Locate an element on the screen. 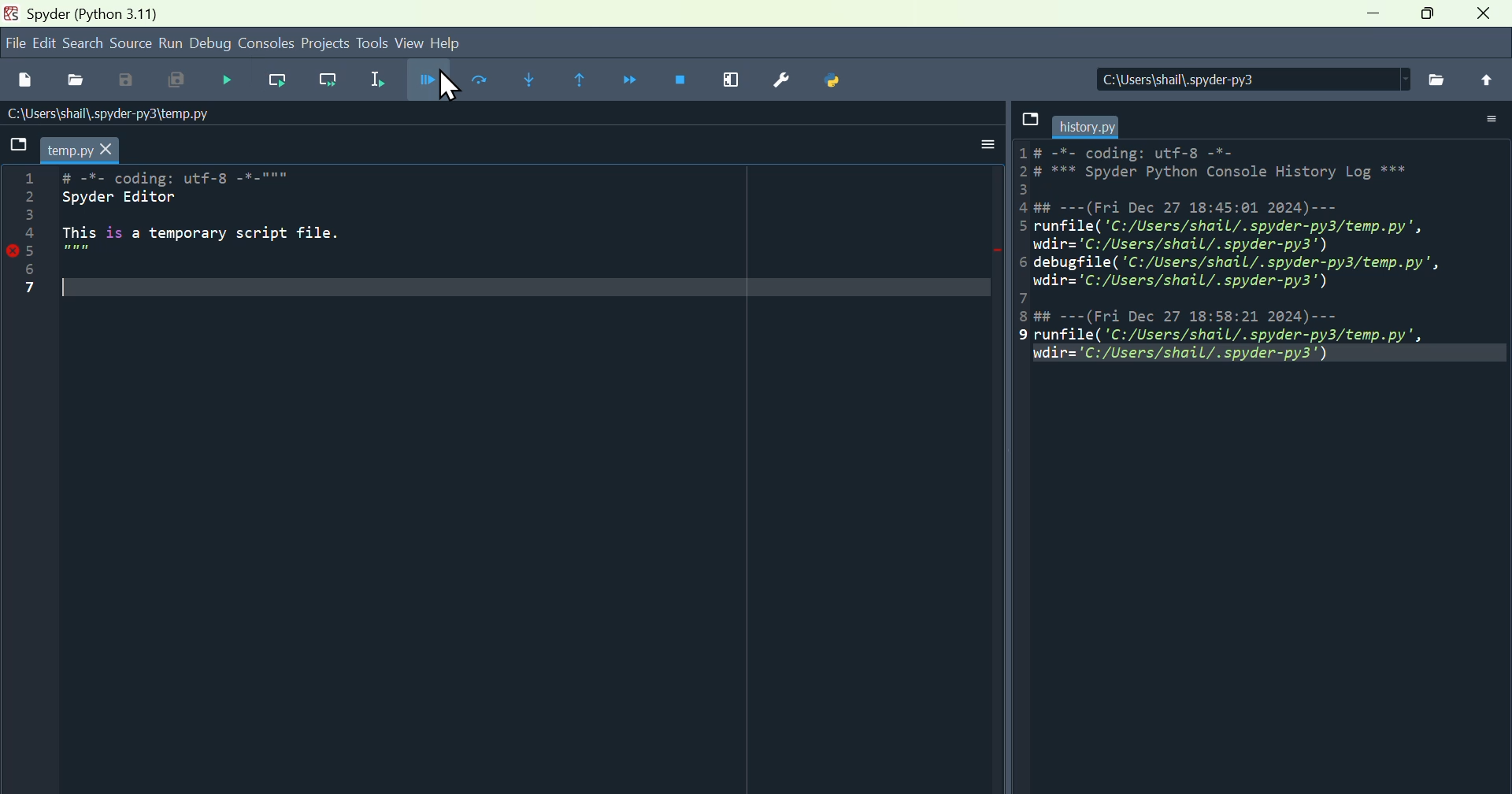 Image resolution: width=1512 pixels, height=794 pixels. File is located at coordinates (28, 83).